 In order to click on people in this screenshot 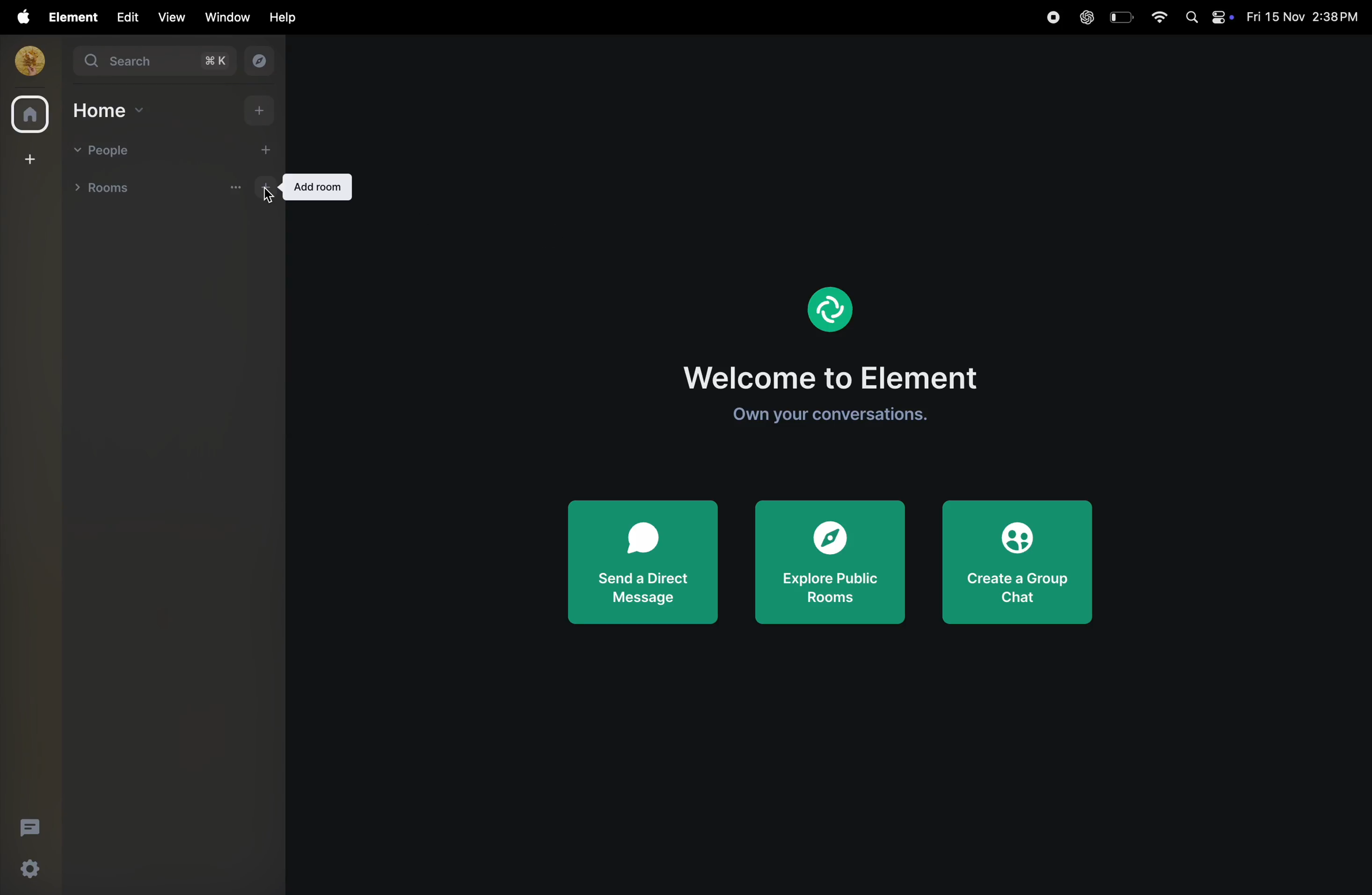, I will do `click(107, 152)`.